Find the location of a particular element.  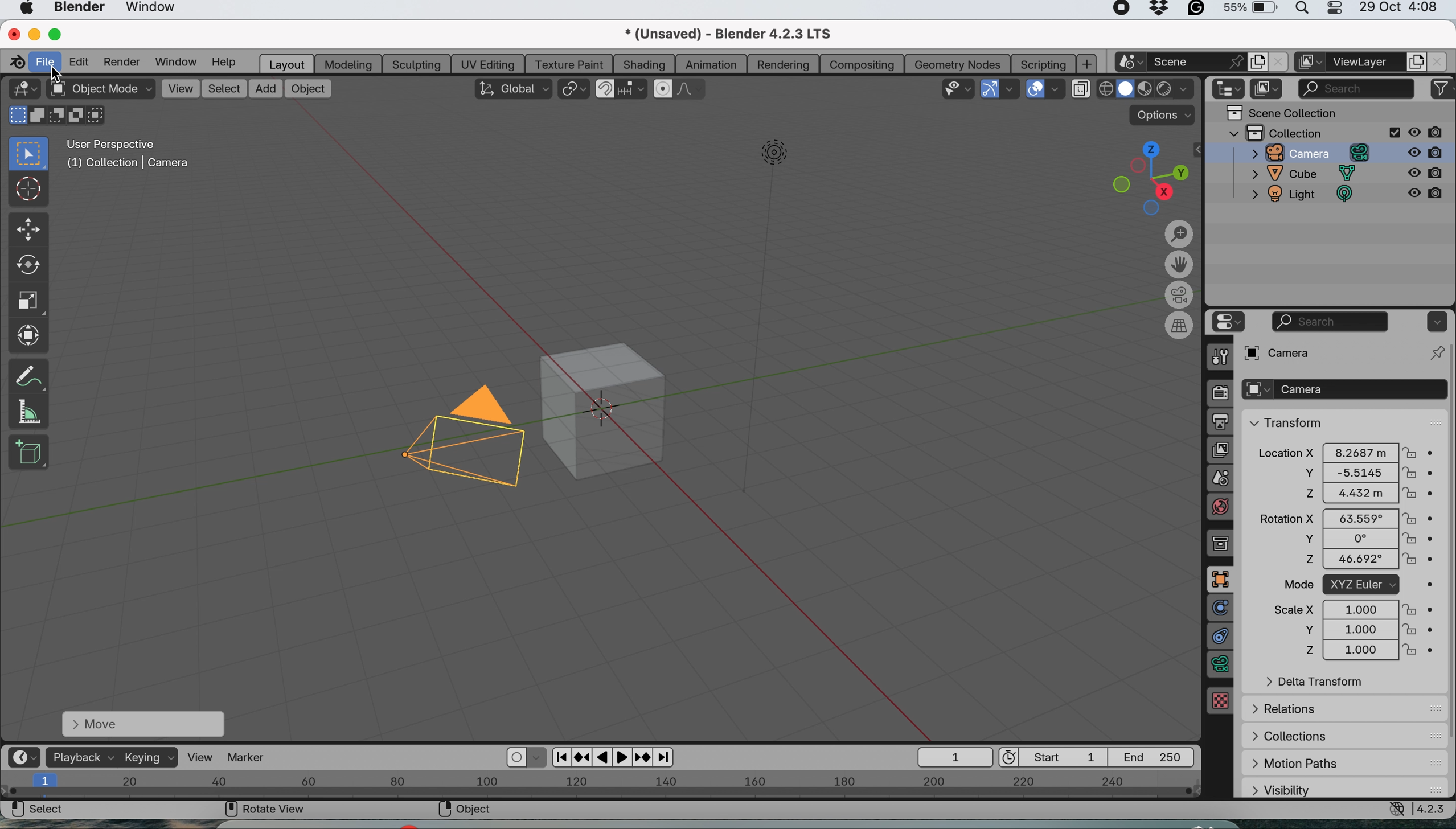

control center is located at coordinates (1333, 10).